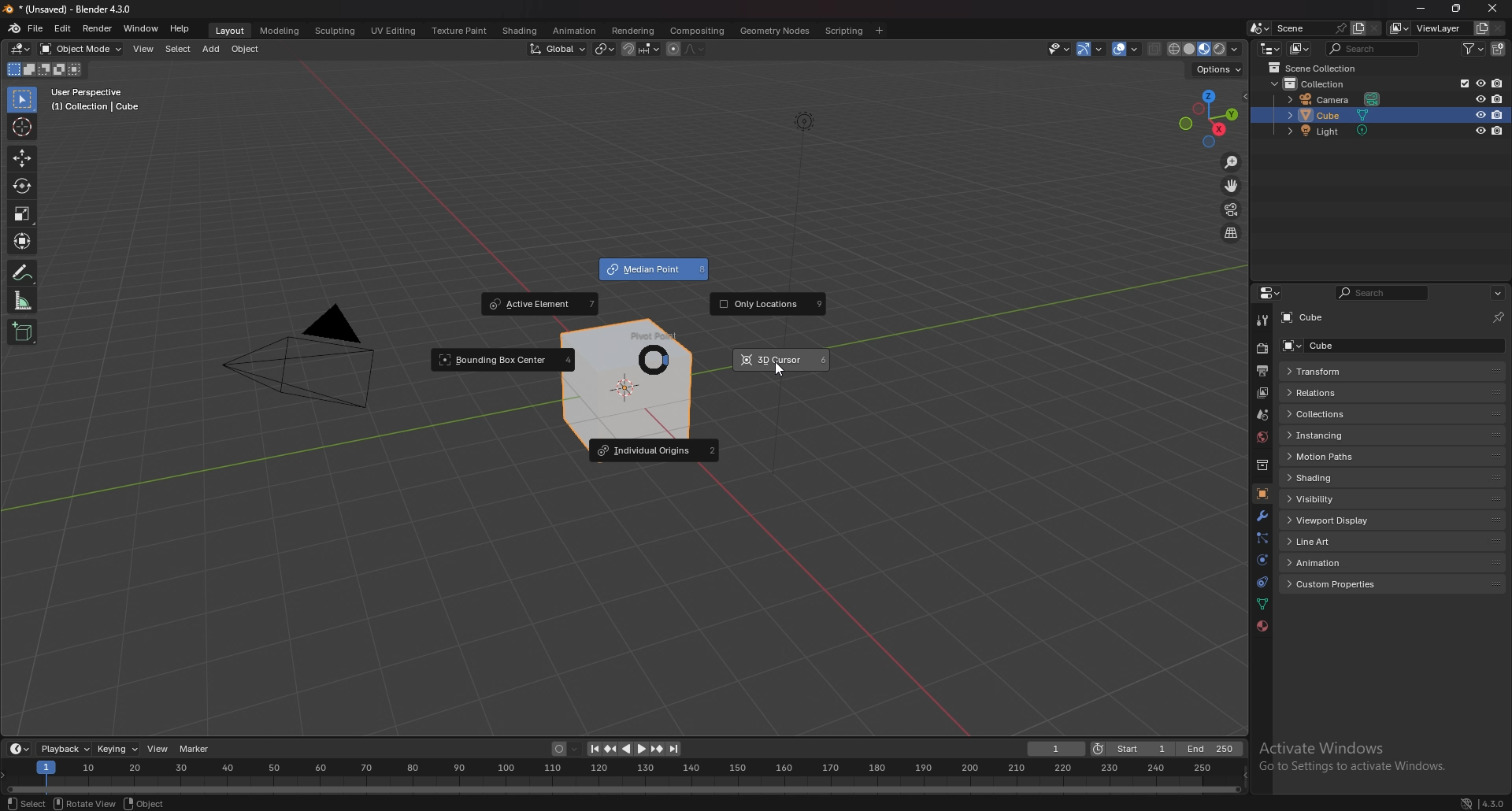 The image size is (1512, 811). I want to click on viewport shading, so click(1205, 50).